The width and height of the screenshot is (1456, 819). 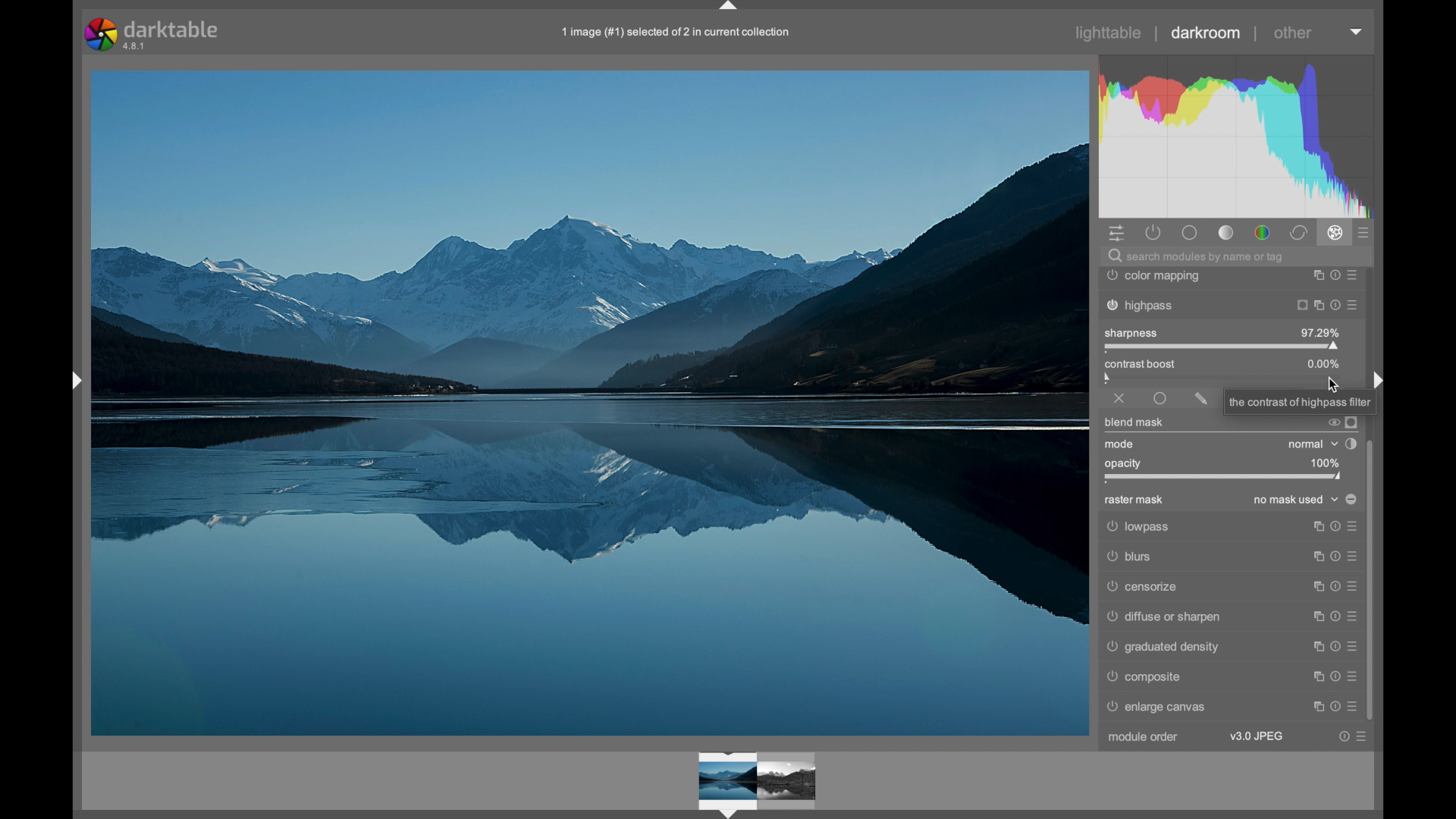 What do you see at coordinates (1120, 444) in the screenshot?
I see `mode` at bounding box center [1120, 444].